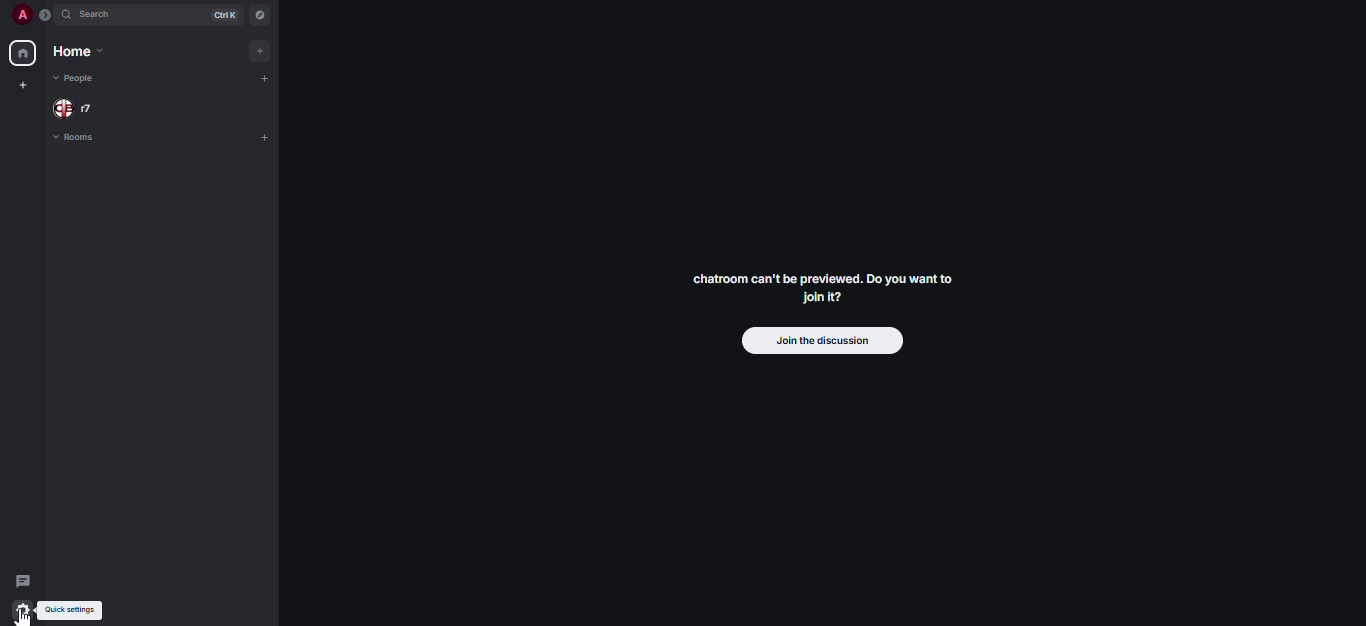 This screenshot has width=1366, height=626. I want to click on chatroom can't be previewed. Do you want to join it?, so click(823, 287).